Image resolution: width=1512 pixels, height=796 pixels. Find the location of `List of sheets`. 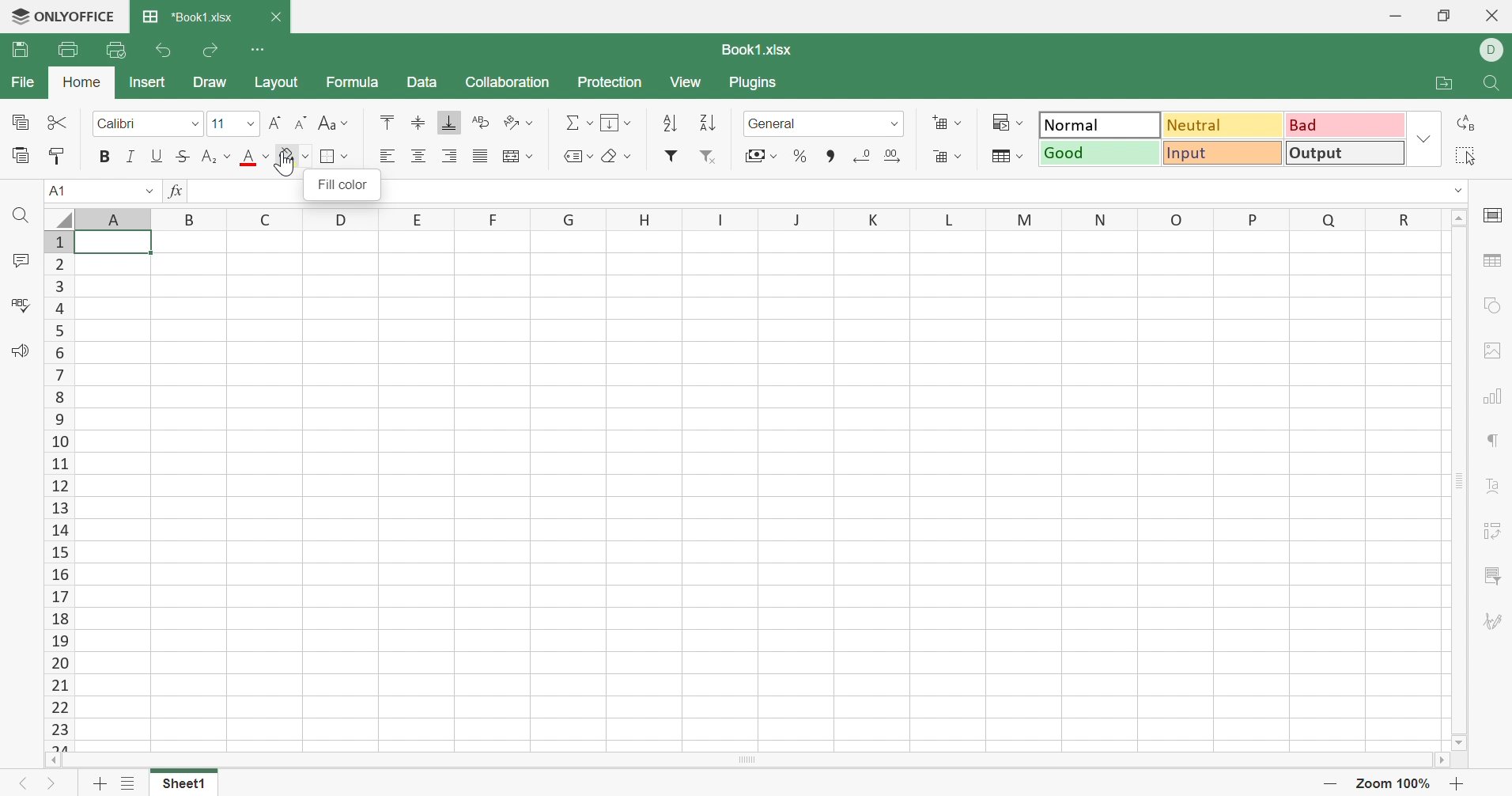

List of sheets is located at coordinates (127, 783).